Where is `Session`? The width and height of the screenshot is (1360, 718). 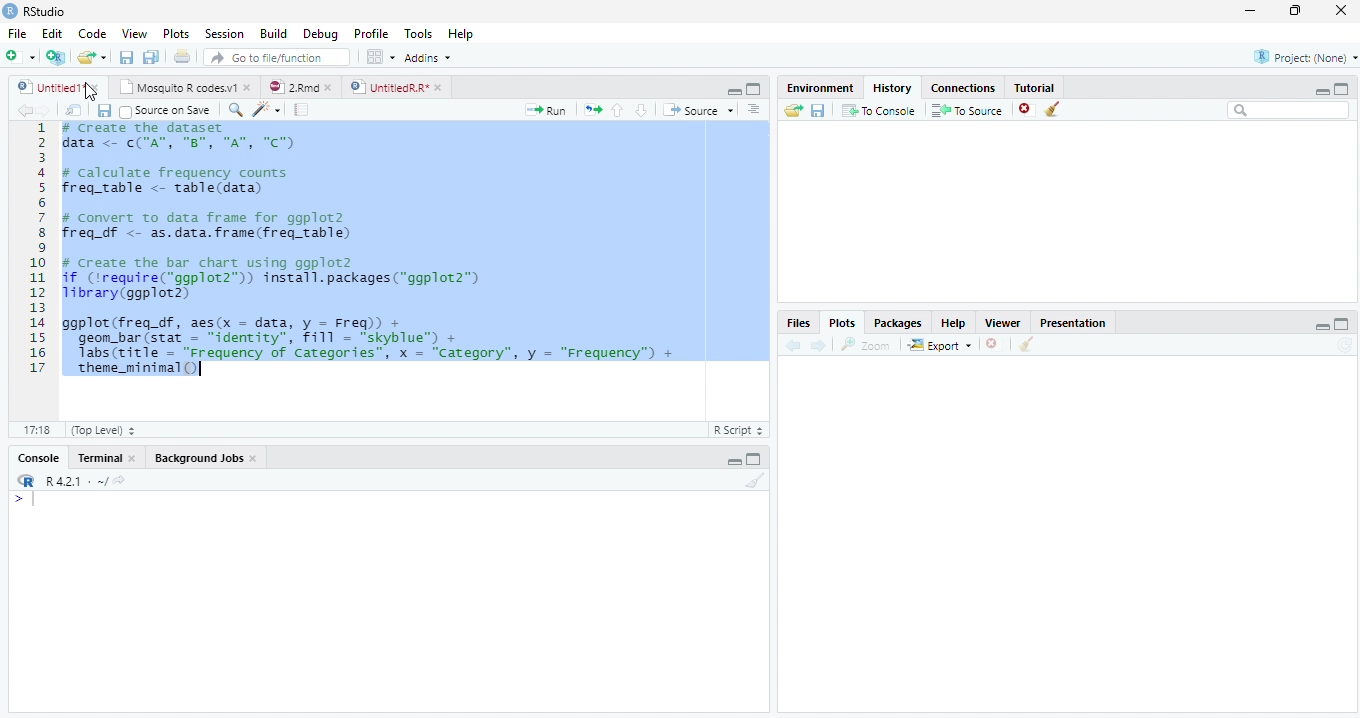
Session is located at coordinates (224, 35).